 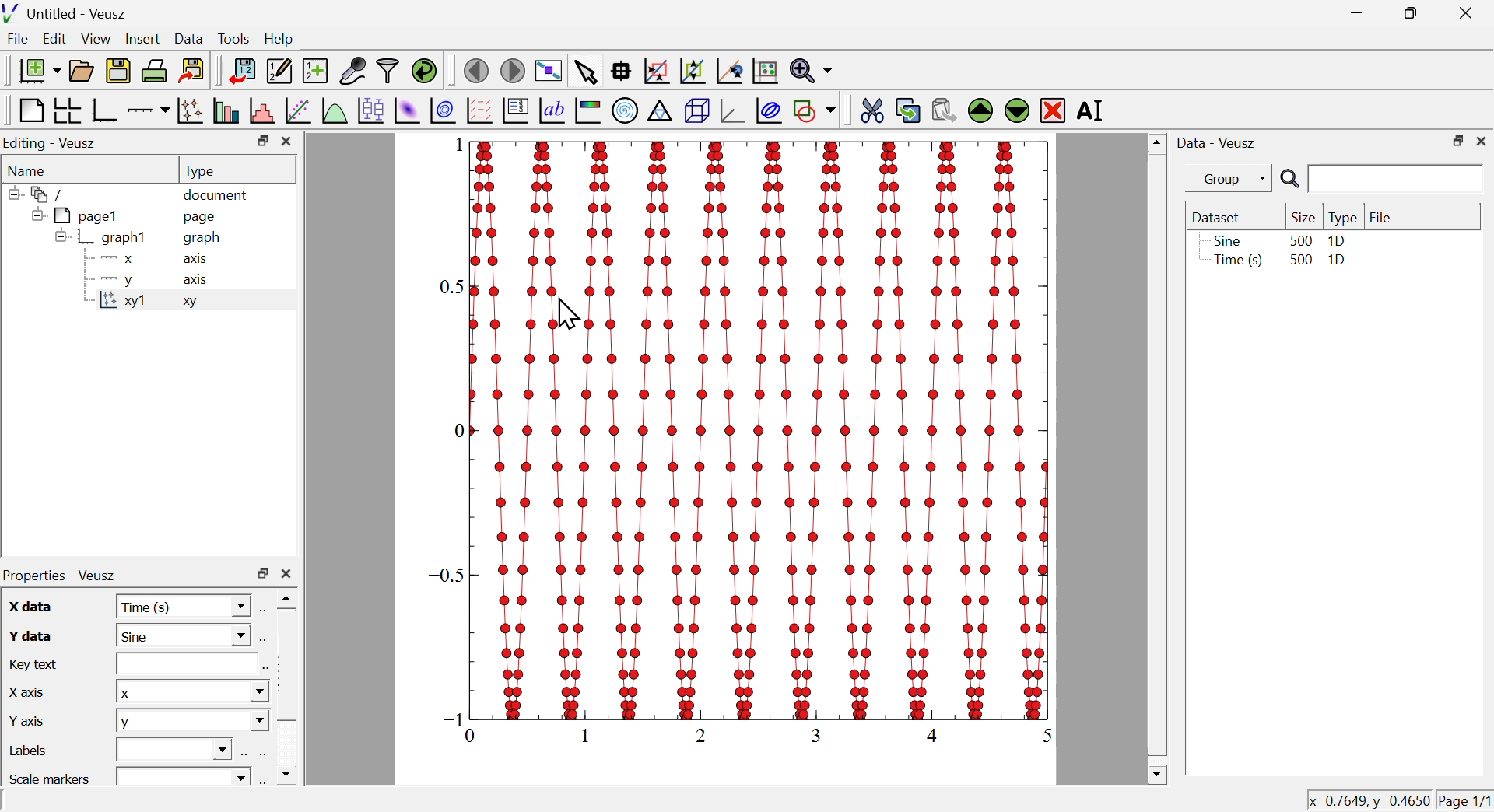 I want to click on add an axis to the plot, so click(x=149, y=110).